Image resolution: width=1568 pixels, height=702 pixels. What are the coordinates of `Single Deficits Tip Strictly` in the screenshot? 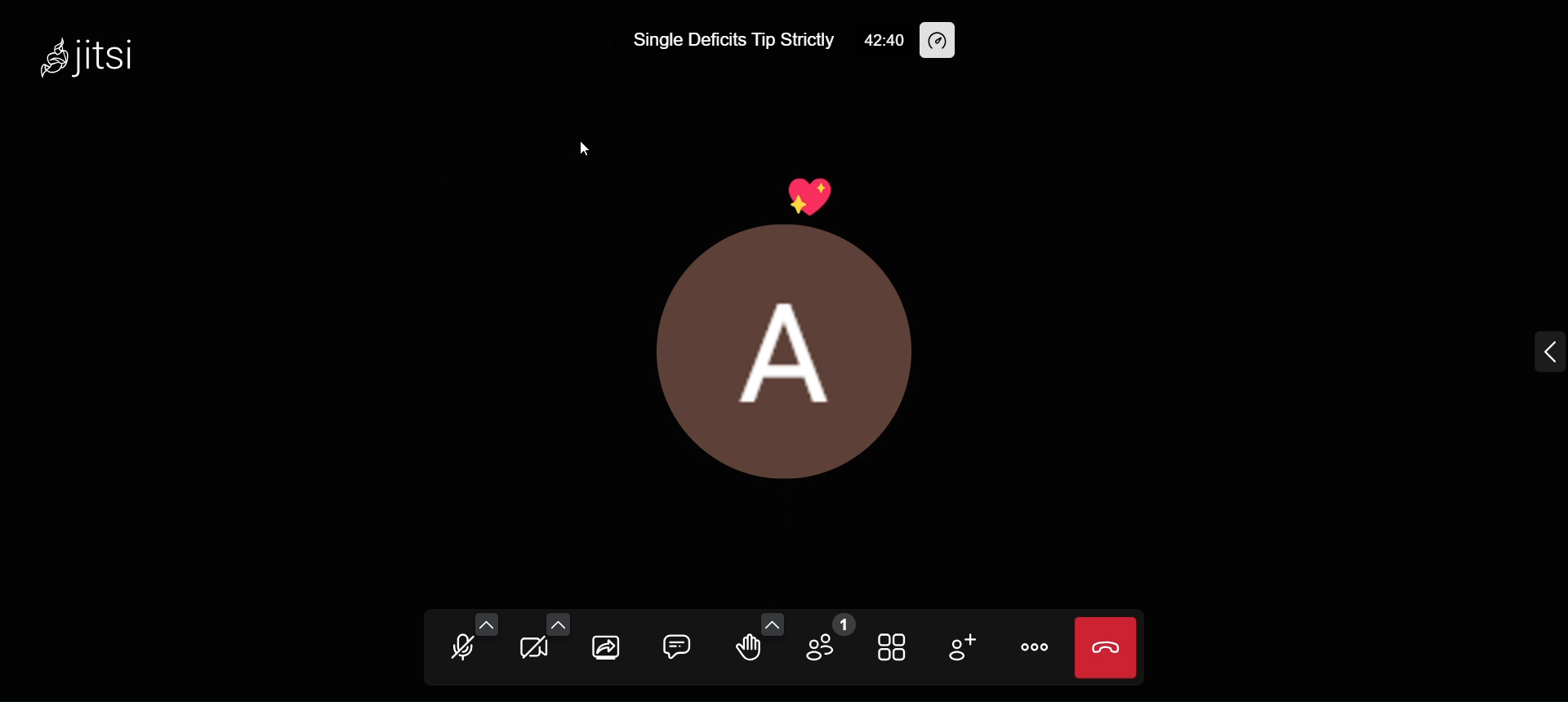 It's located at (730, 42).